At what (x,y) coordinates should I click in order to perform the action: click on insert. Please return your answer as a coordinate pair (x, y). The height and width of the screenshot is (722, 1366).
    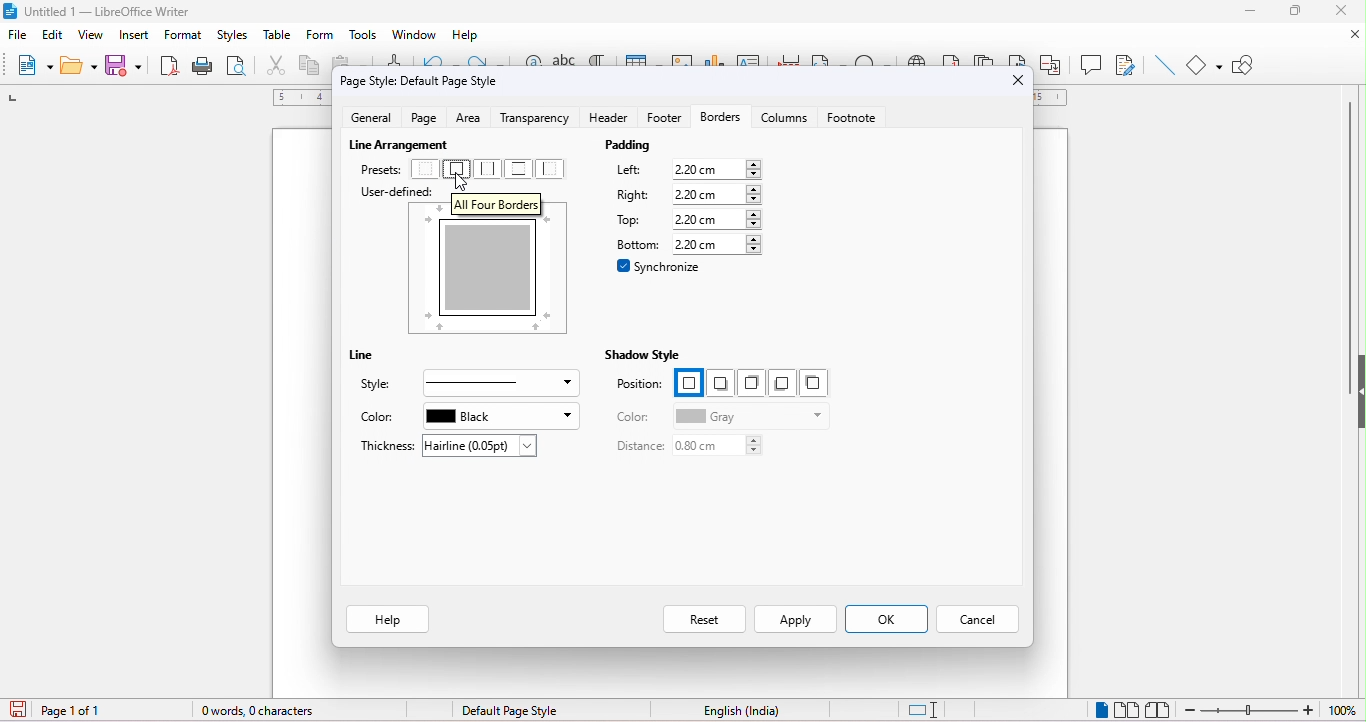
    Looking at the image, I should click on (136, 37).